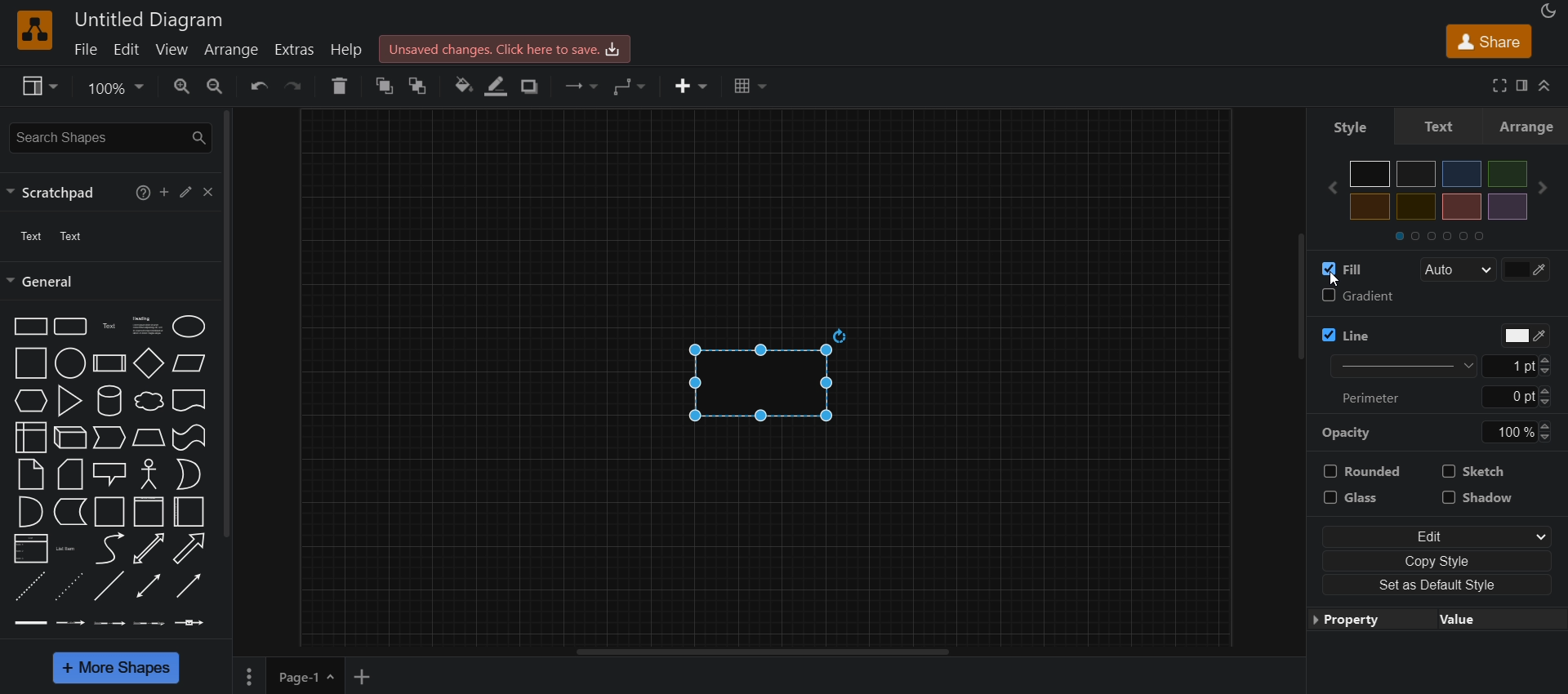 This screenshot has width=1568, height=694. Describe the element at coordinates (109, 474) in the screenshot. I see `callout` at that location.